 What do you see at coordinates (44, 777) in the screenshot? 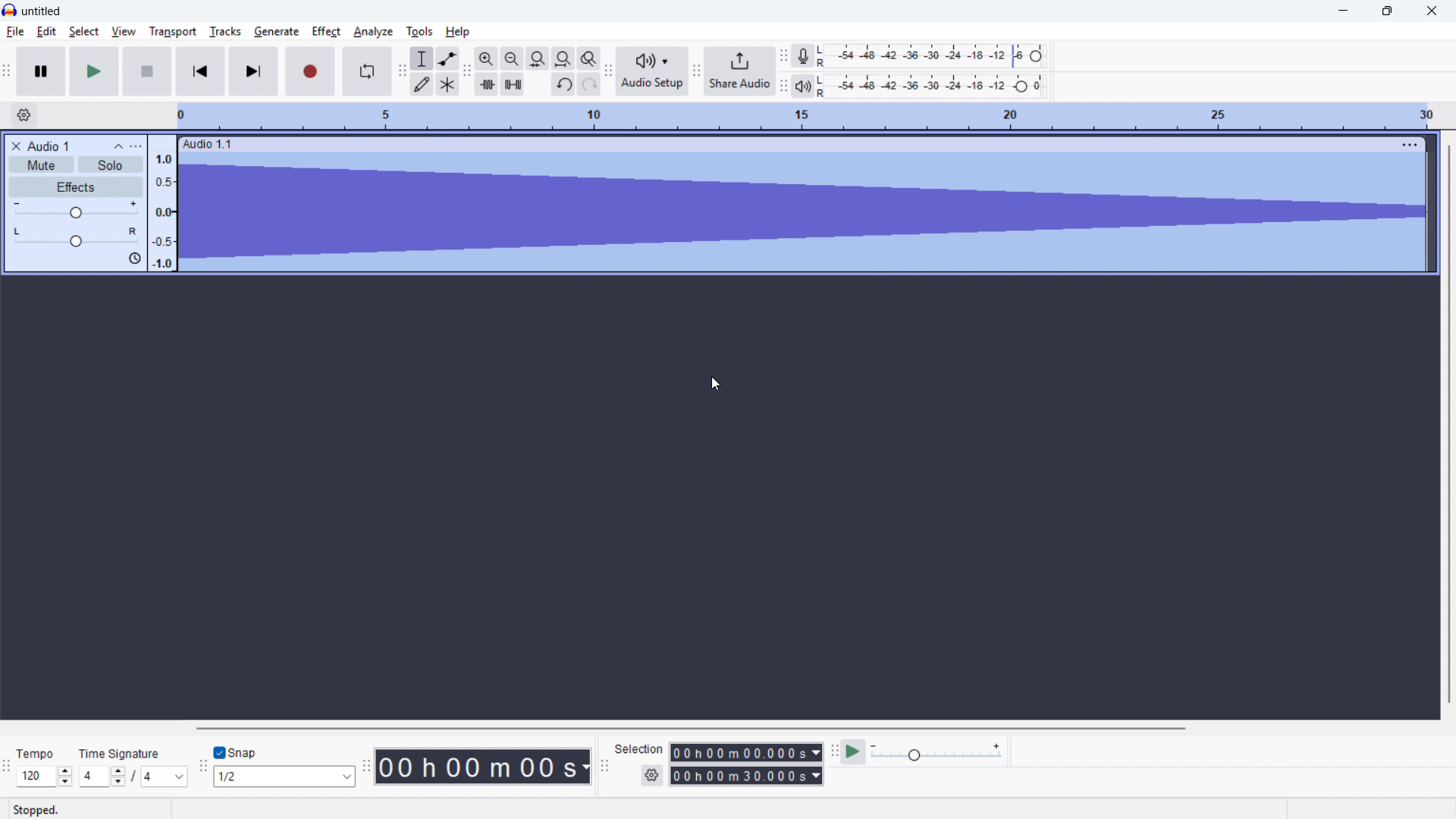
I see `Set tempo ` at bounding box center [44, 777].